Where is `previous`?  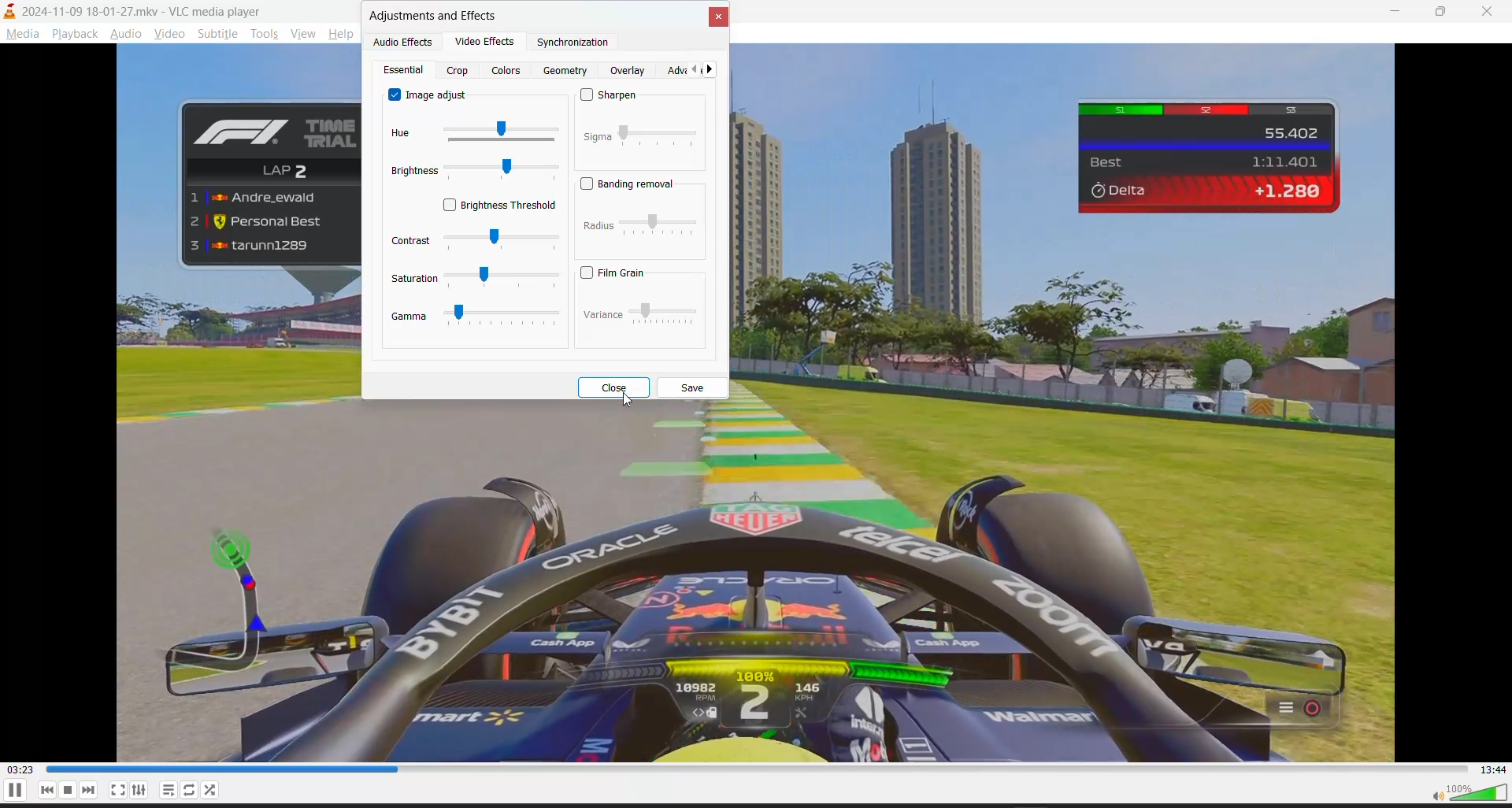 previous is located at coordinates (48, 790).